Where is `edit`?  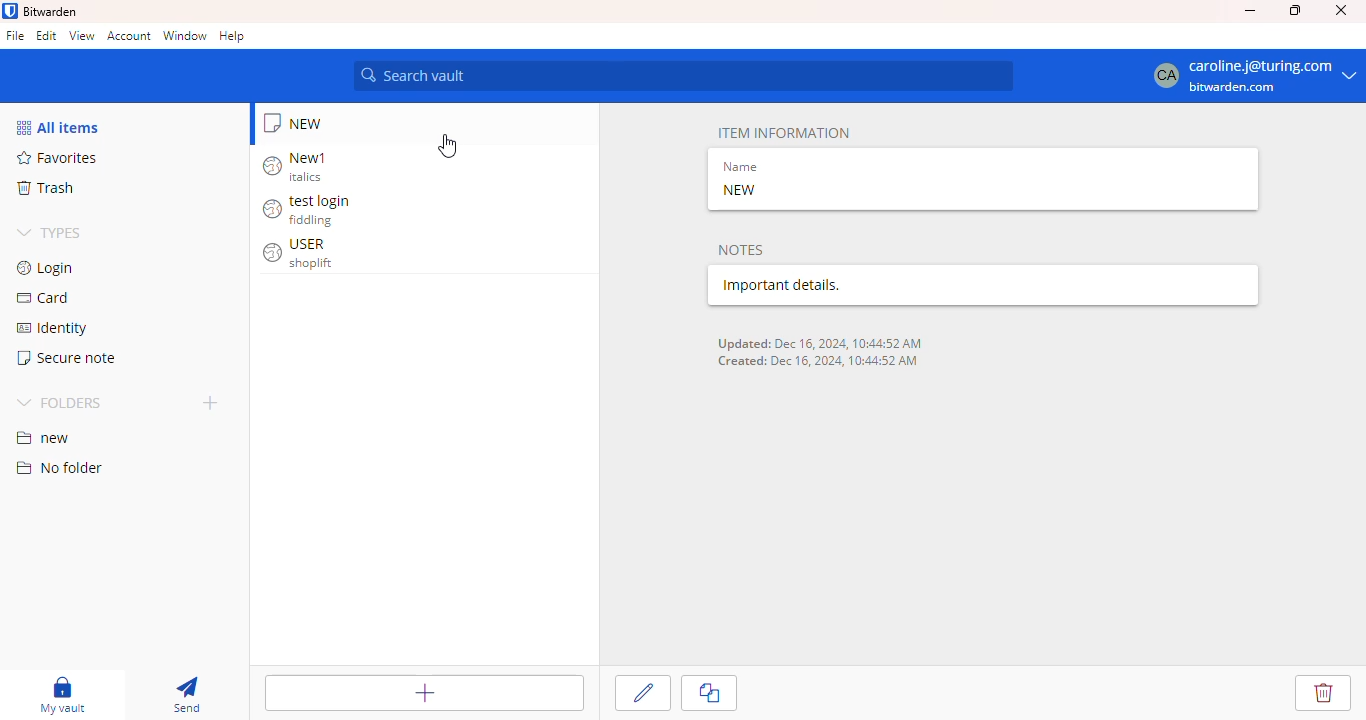
edit is located at coordinates (644, 693).